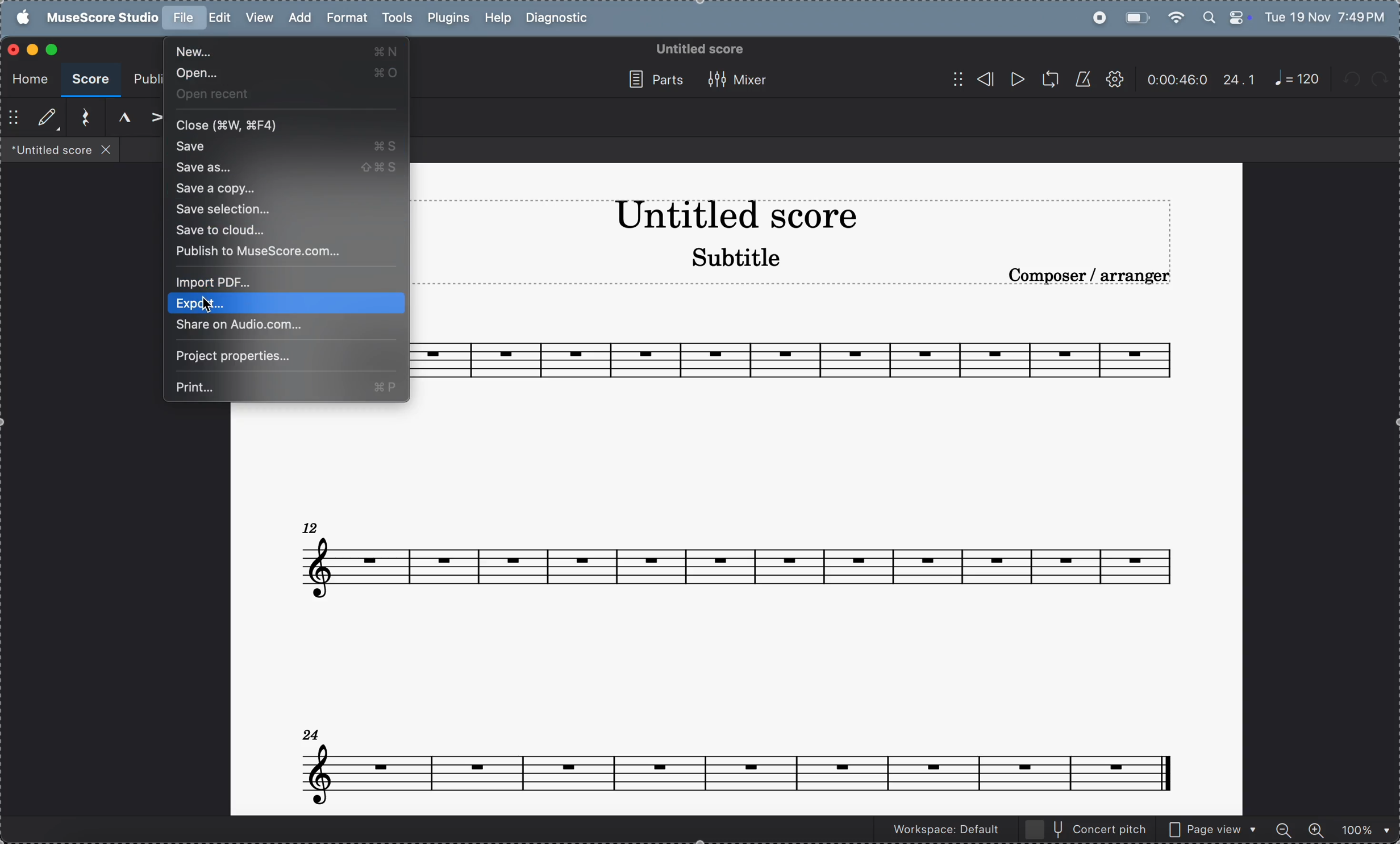 The width and height of the screenshot is (1400, 844). I want to click on publish, so click(145, 80).